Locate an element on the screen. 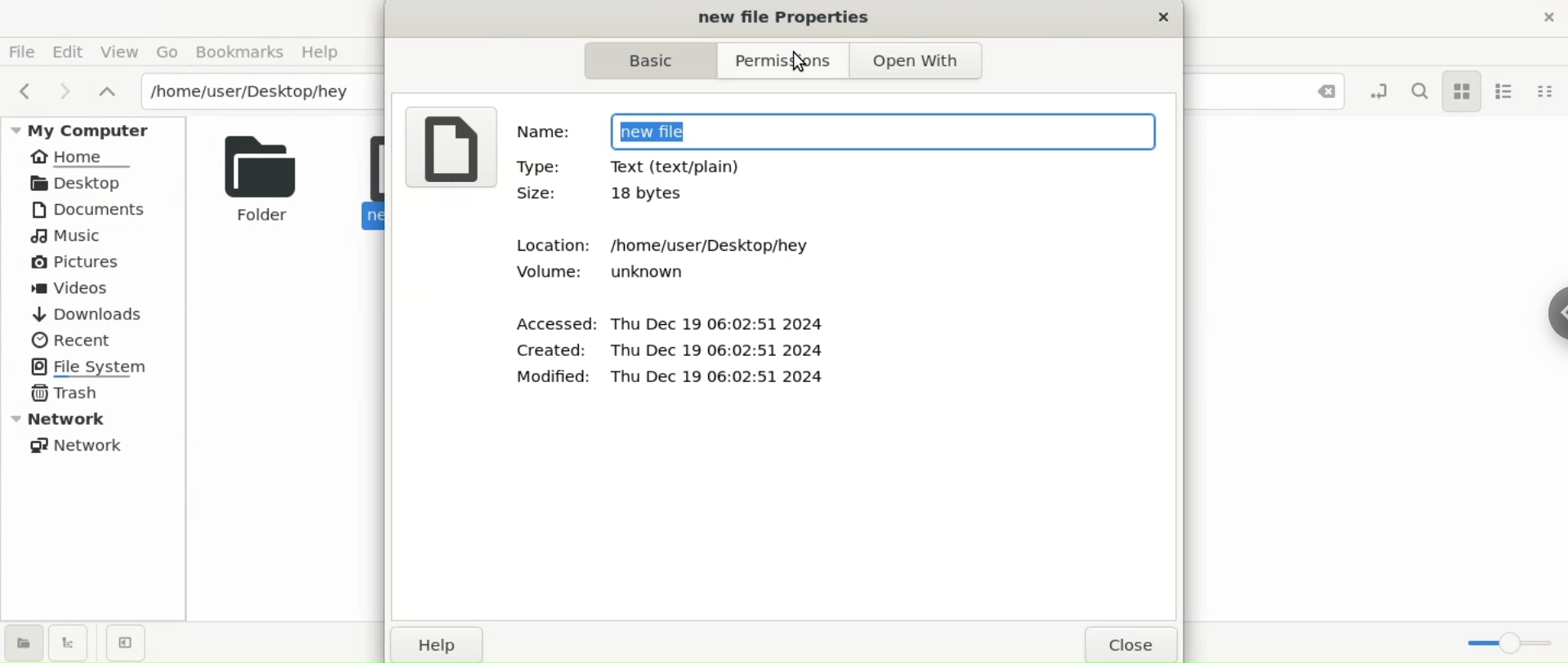 This screenshot has height=663, width=1568. Volume: unknown is located at coordinates (608, 274).